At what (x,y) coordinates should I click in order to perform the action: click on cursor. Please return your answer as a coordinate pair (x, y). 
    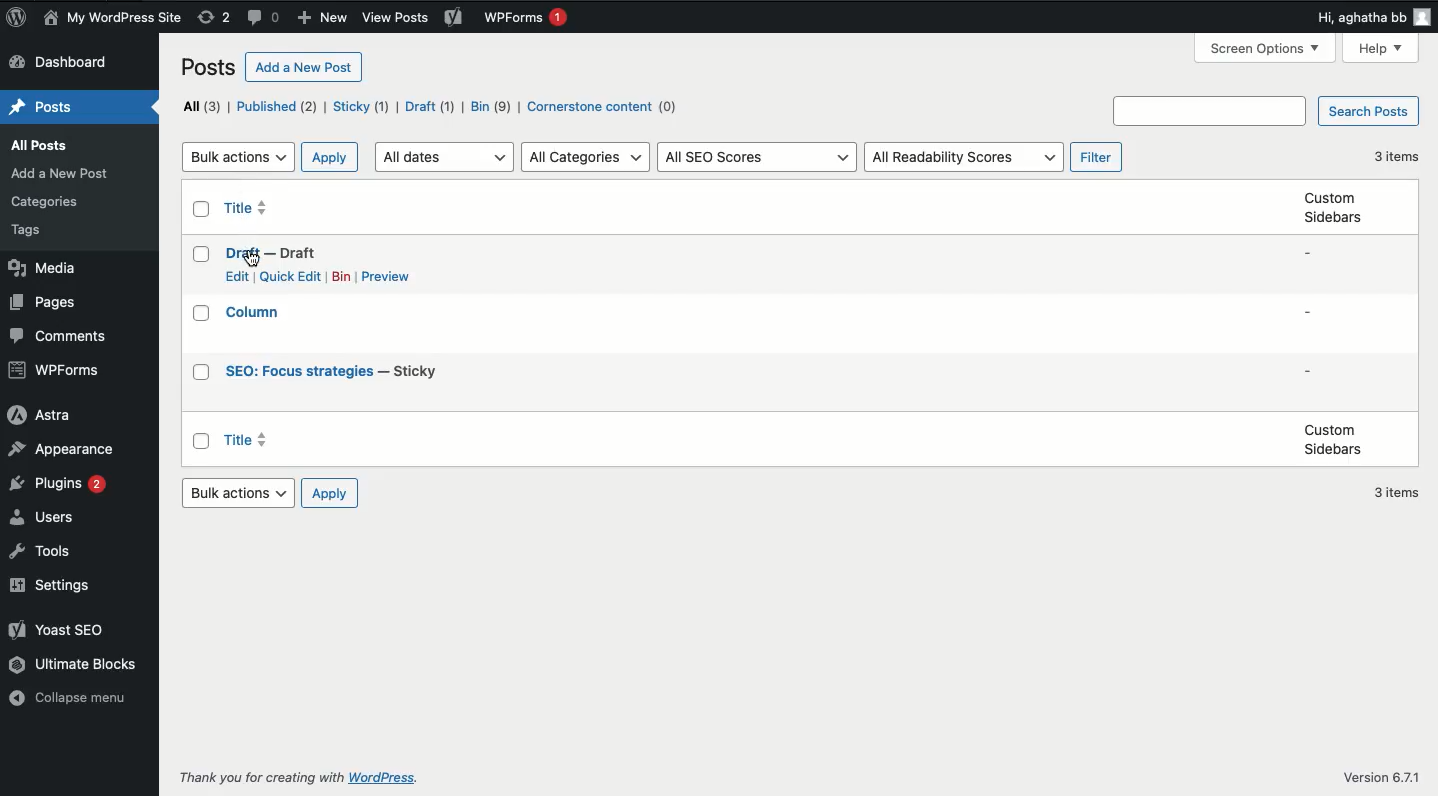
    Looking at the image, I should click on (255, 260).